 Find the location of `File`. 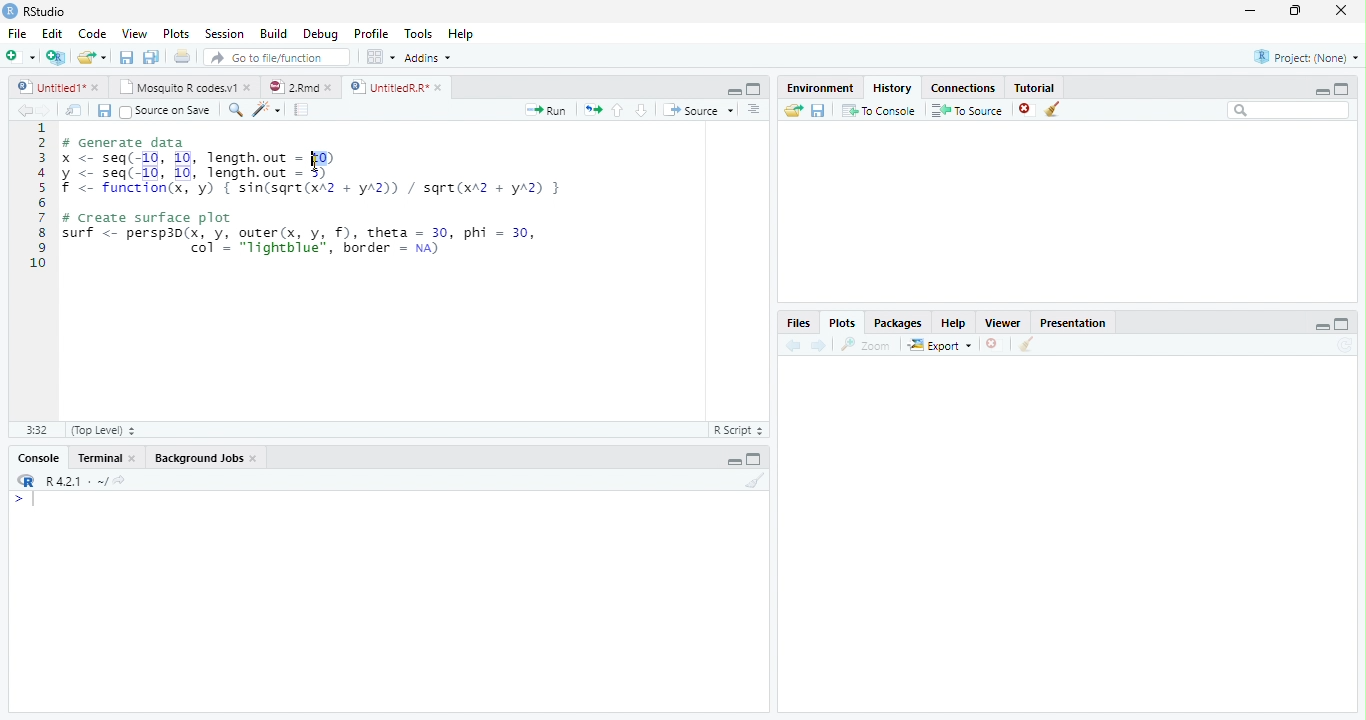

File is located at coordinates (17, 33).